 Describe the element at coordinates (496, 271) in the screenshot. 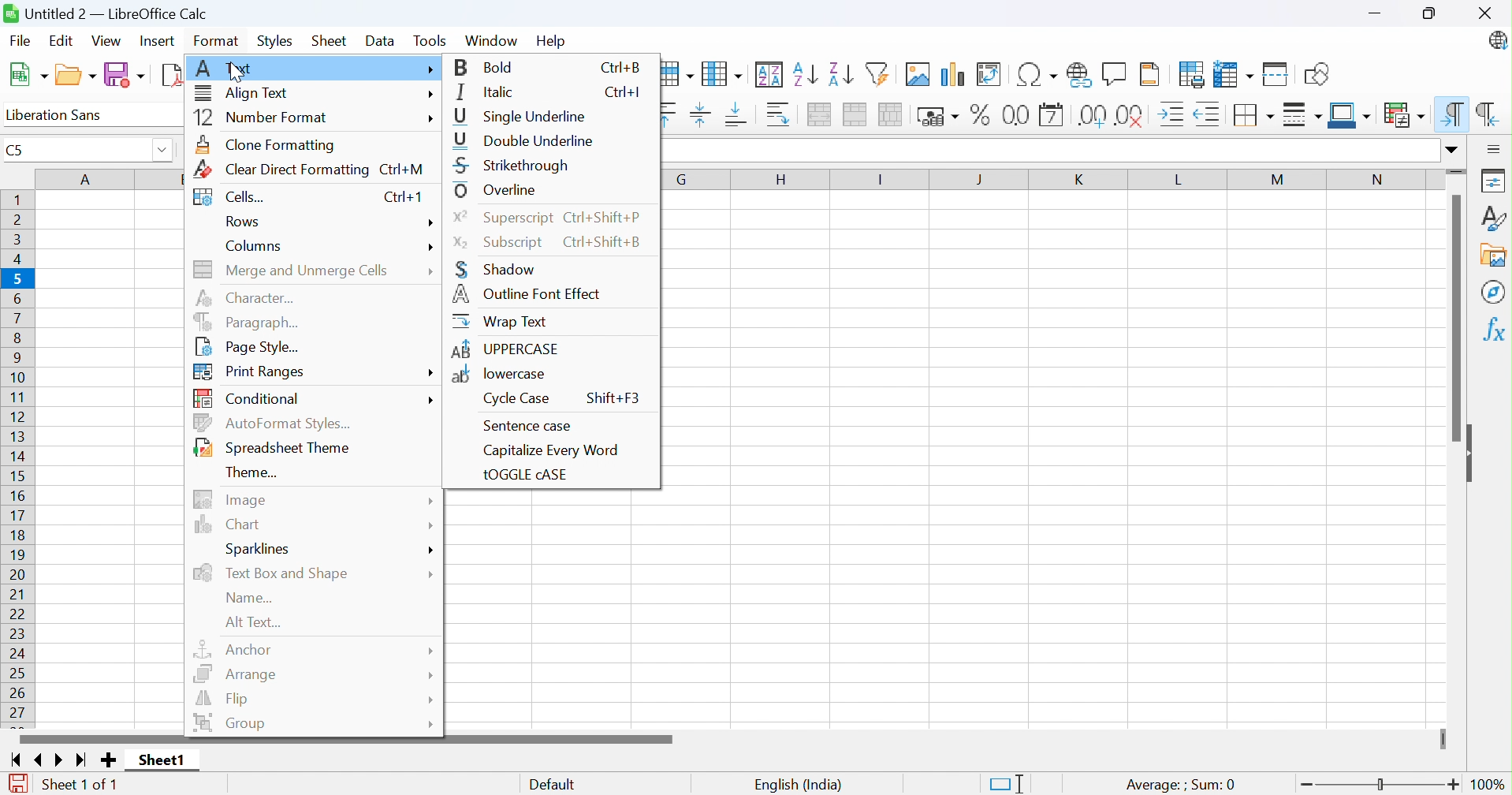

I see `Shadow` at that location.